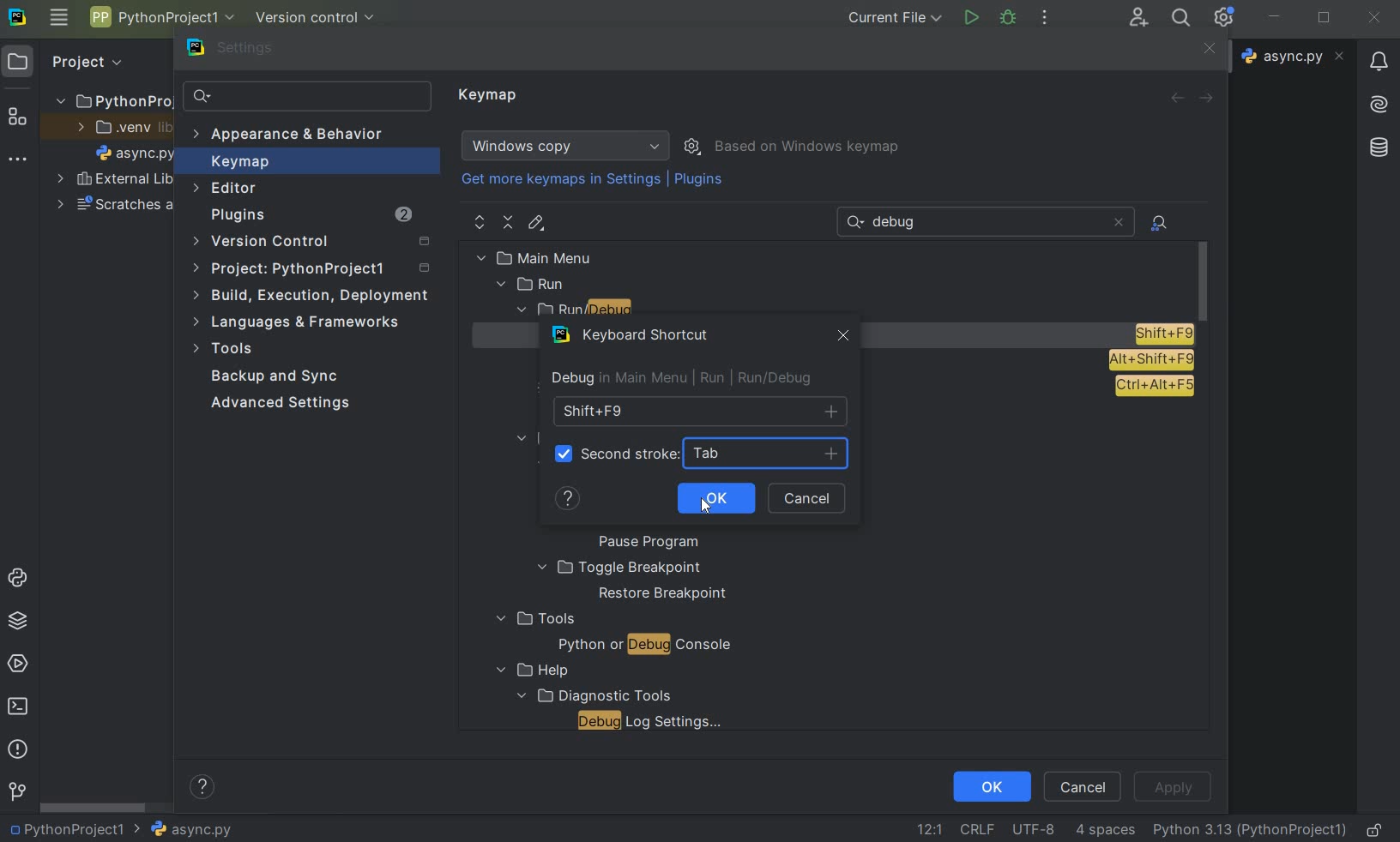  What do you see at coordinates (21, 621) in the screenshot?
I see `python packages` at bounding box center [21, 621].